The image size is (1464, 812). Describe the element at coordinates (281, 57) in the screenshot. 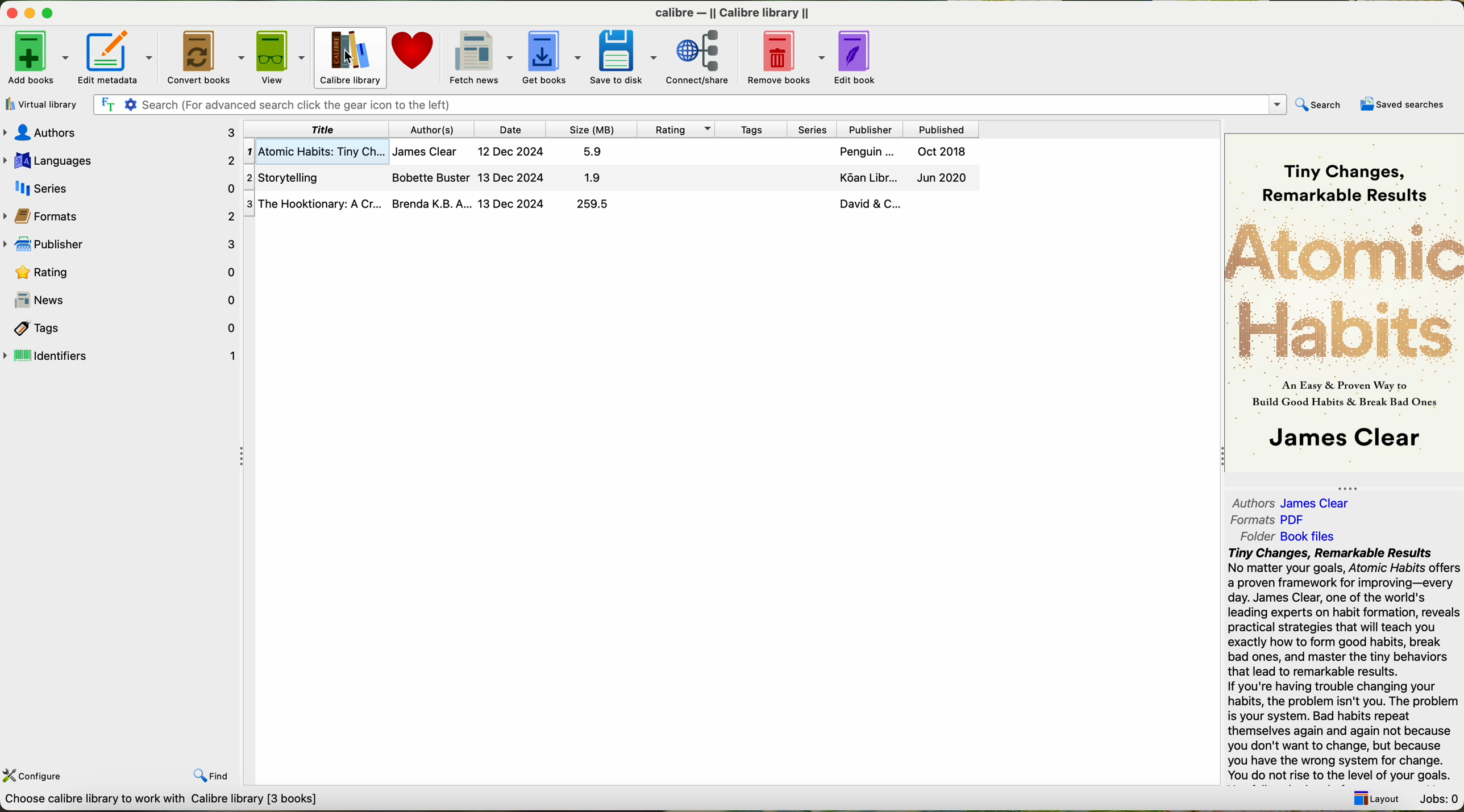

I see `view` at that location.